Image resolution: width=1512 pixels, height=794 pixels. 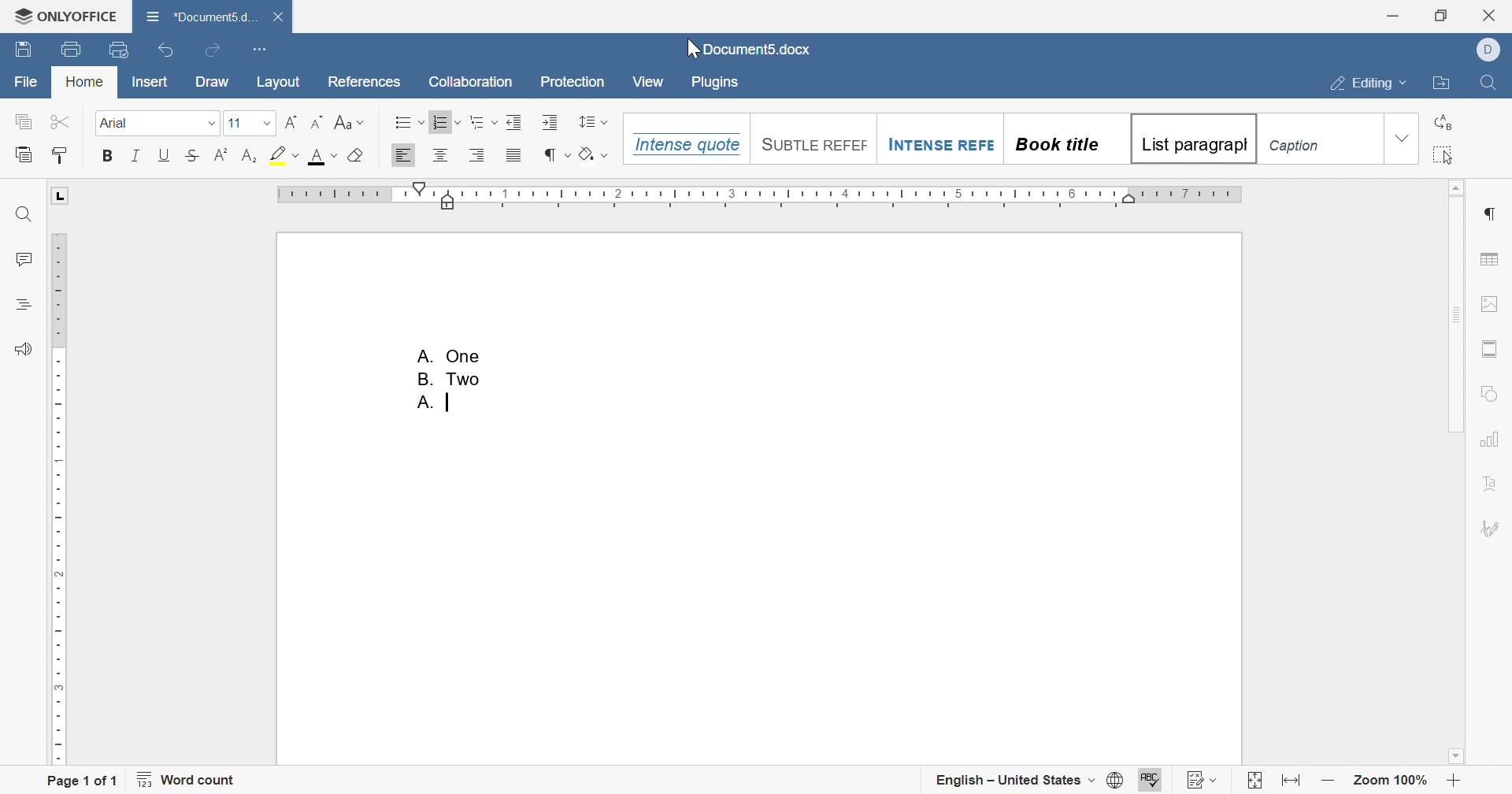 What do you see at coordinates (279, 17) in the screenshot?
I see `Close` at bounding box center [279, 17].